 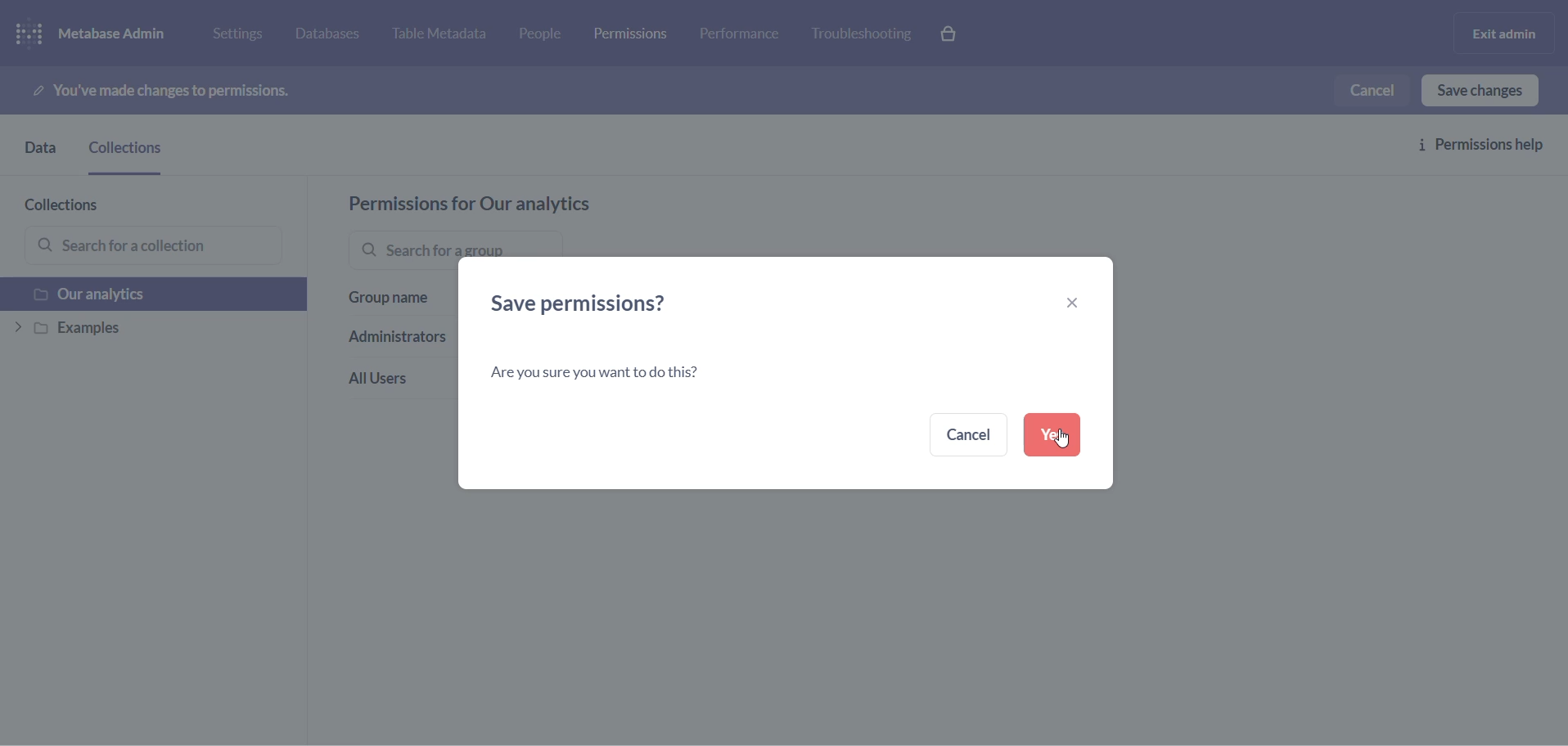 What do you see at coordinates (599, 304) in the screenshot?
I see `heading` at bounding box center [599, 304].